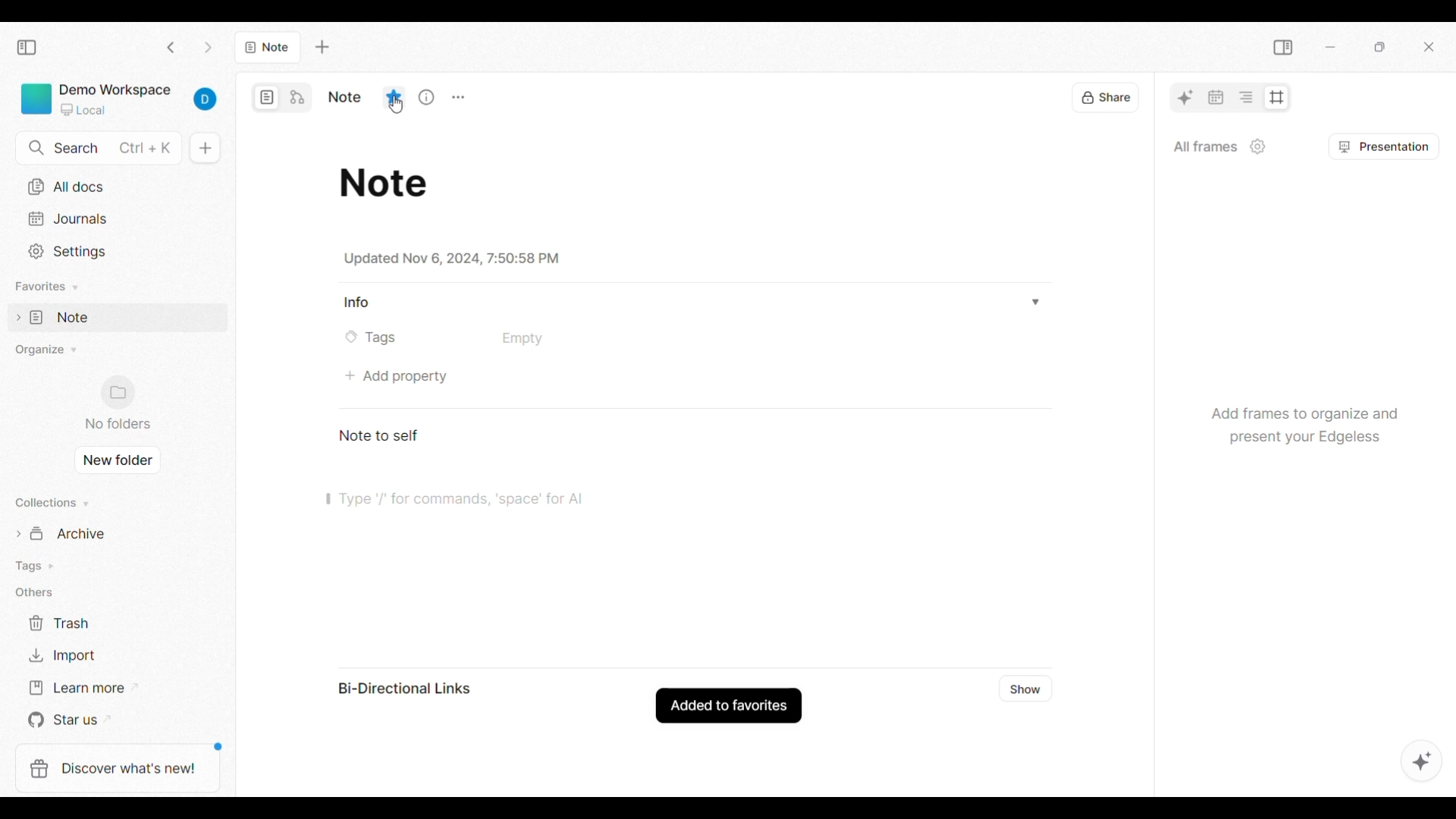 The image size is (1456, 819). What do you see at coordinates (1245, 97) in the screenshot?
I see `Table of contents` at bounding box center [1245, 97].